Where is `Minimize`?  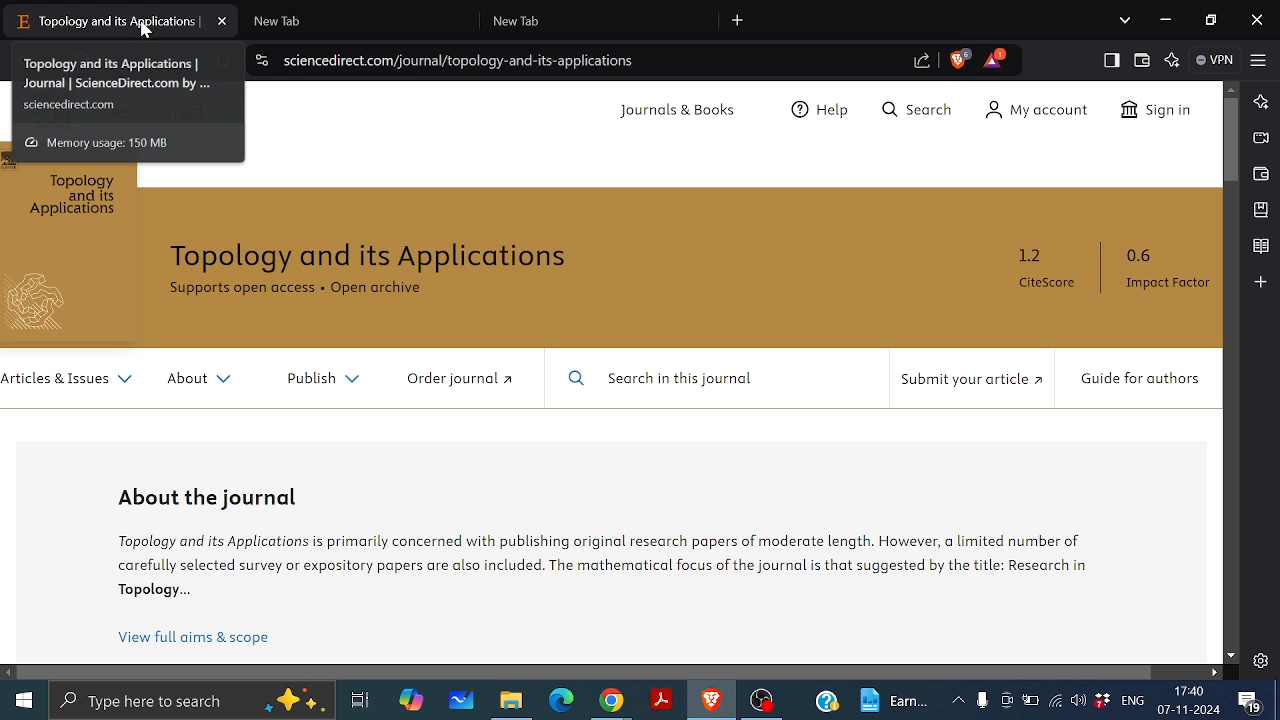
Minimize is located at coordinates (1167, 21).